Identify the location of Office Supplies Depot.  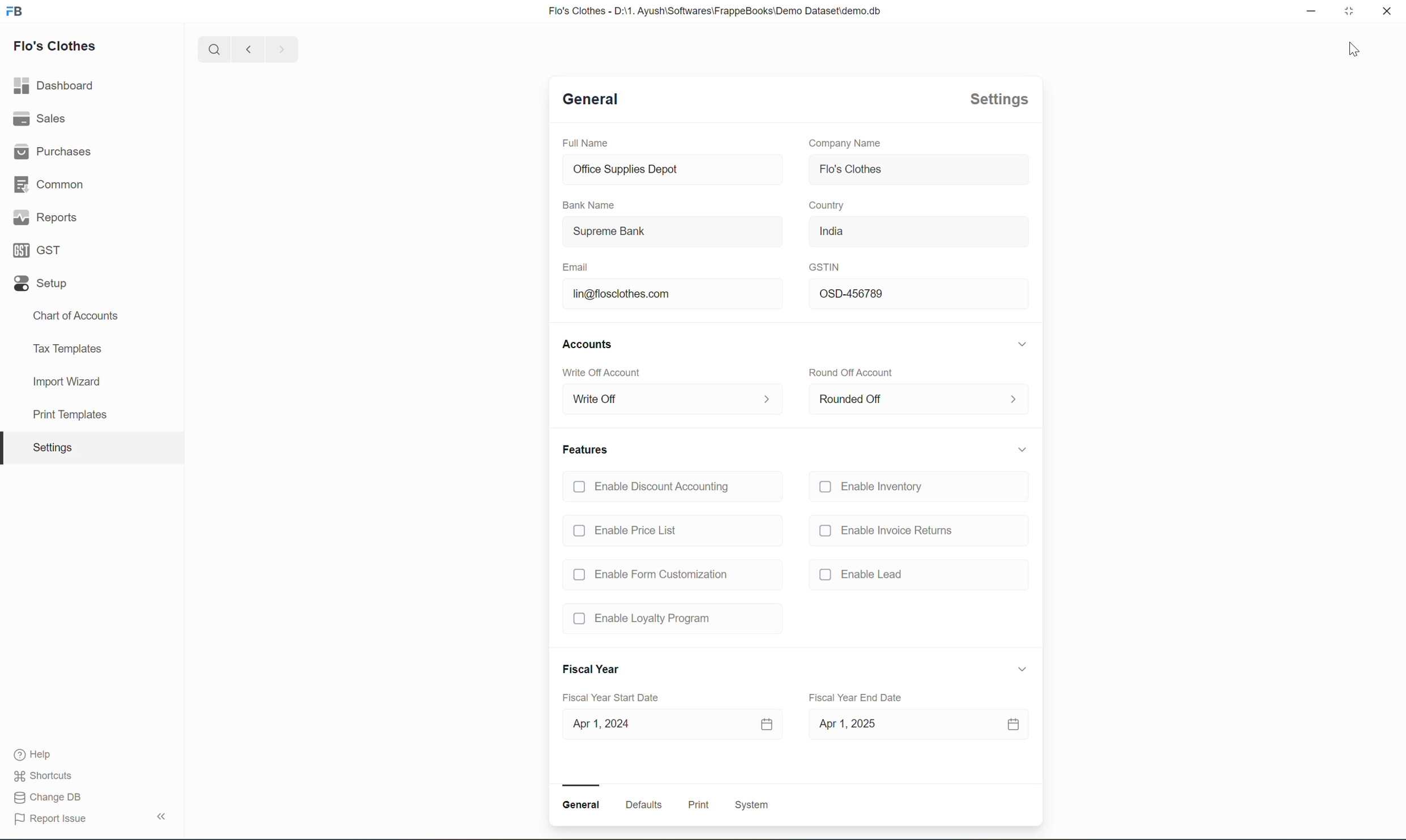
(673, 169).